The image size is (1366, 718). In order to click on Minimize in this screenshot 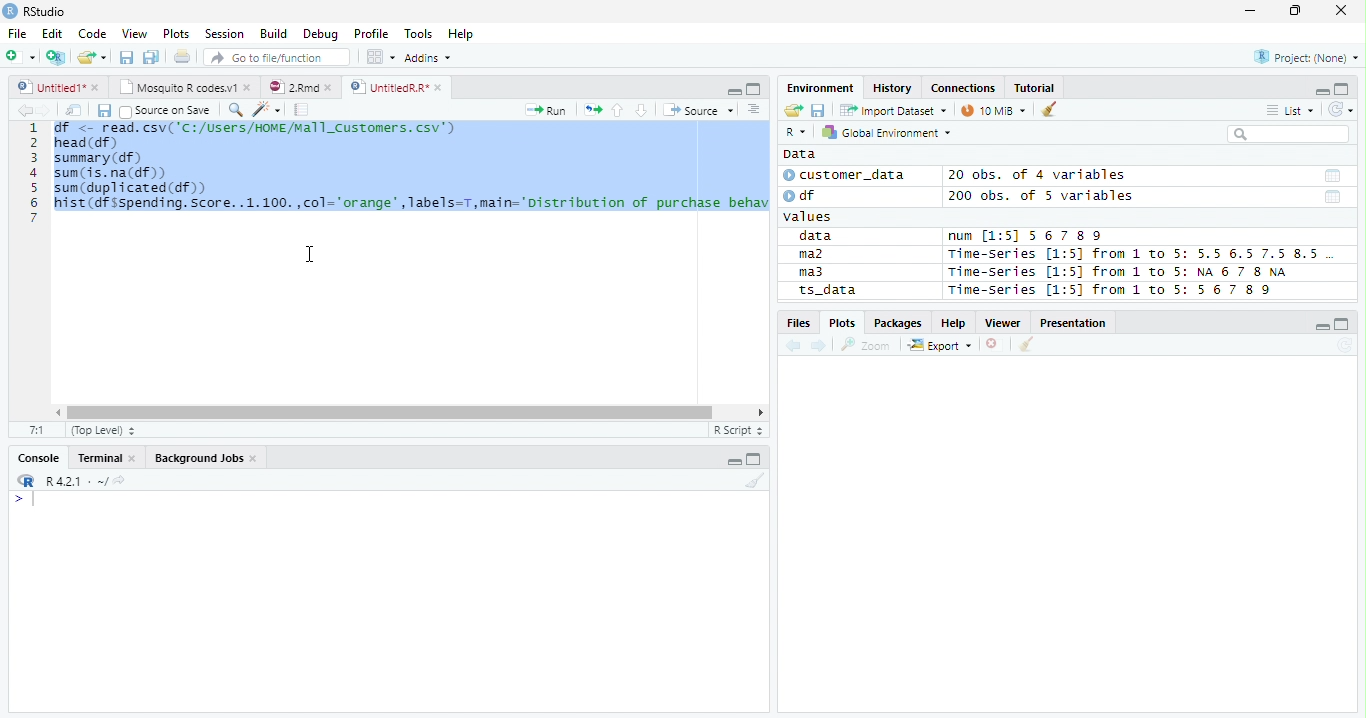, I will do `click(1249, 13)`.